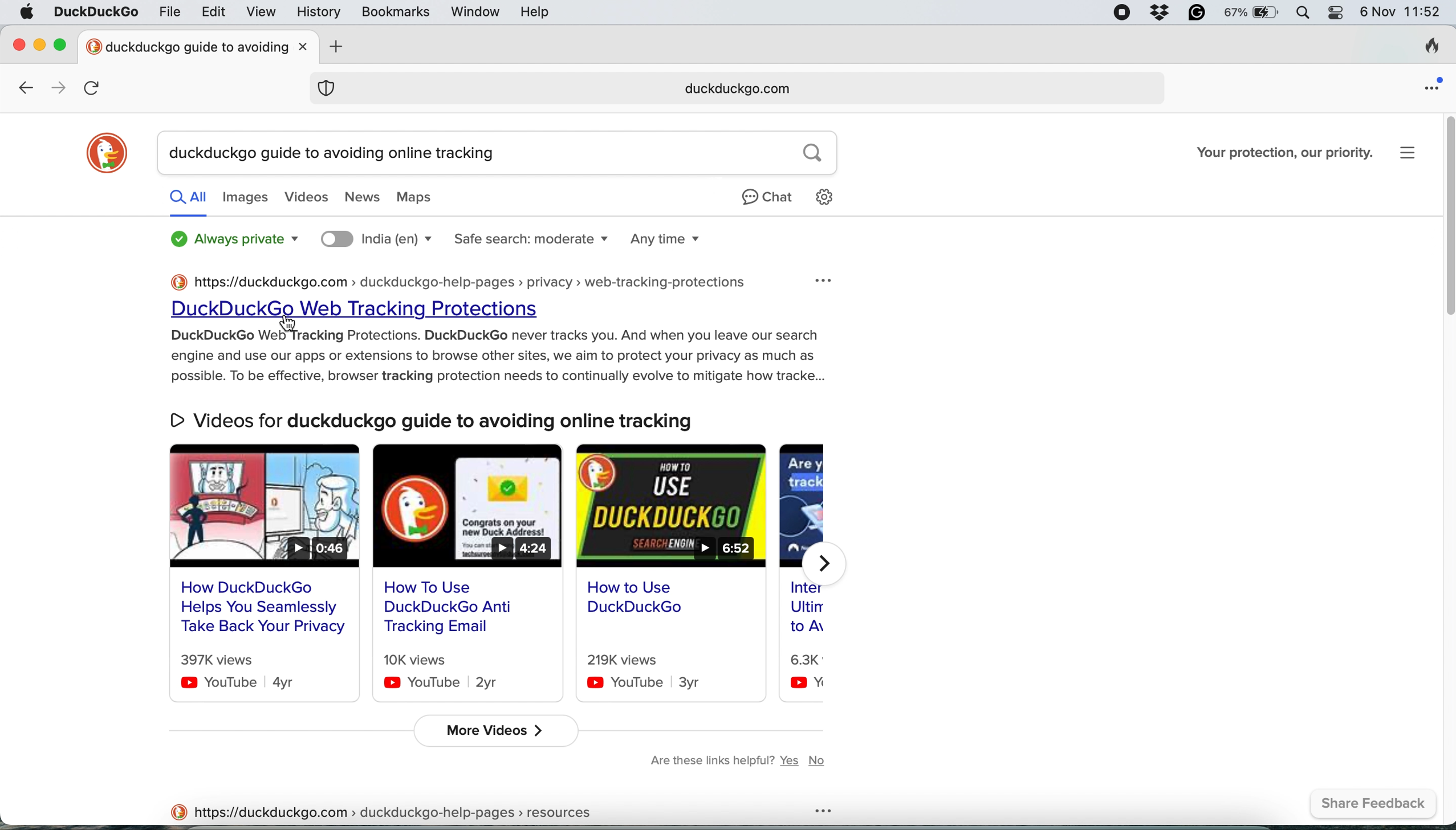  I want to click on more option, so click(827, 278).